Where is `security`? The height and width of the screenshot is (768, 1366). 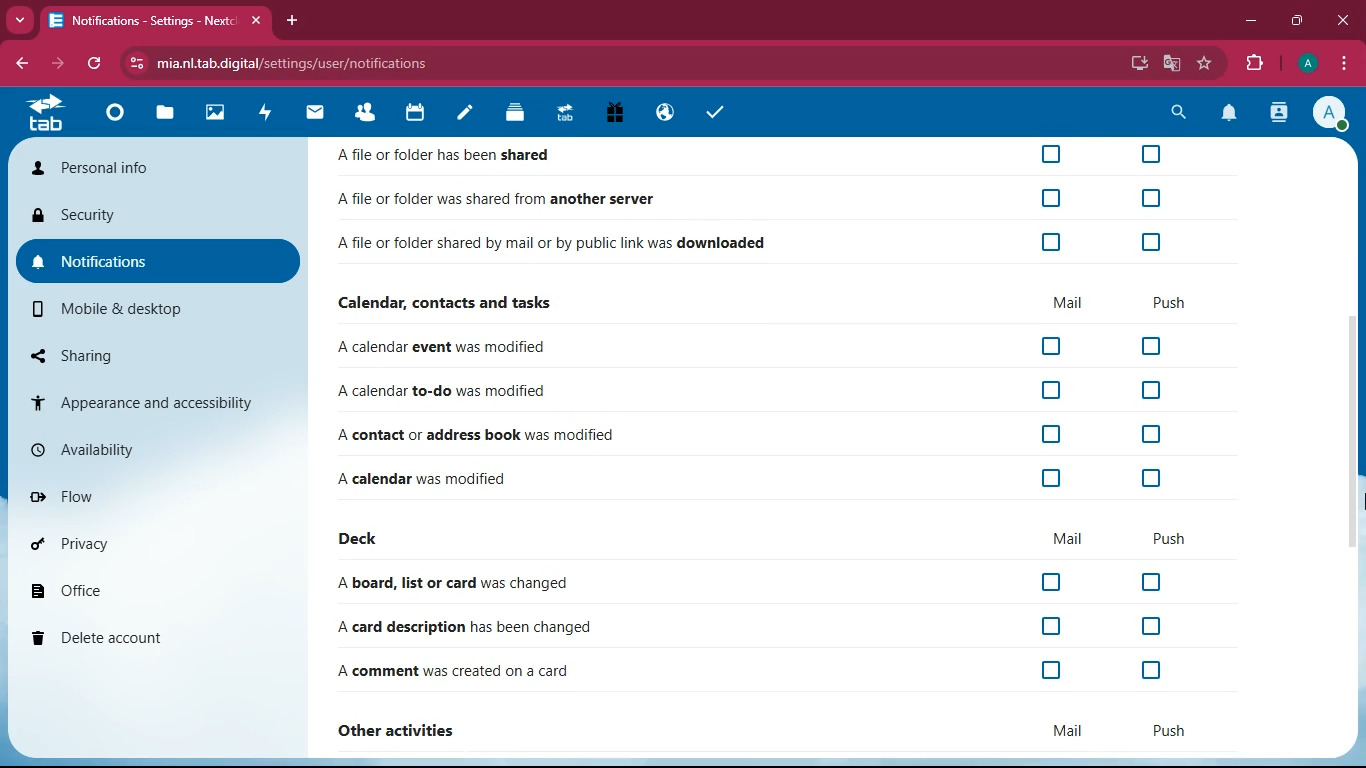 security is located at coordinates (155, 216).